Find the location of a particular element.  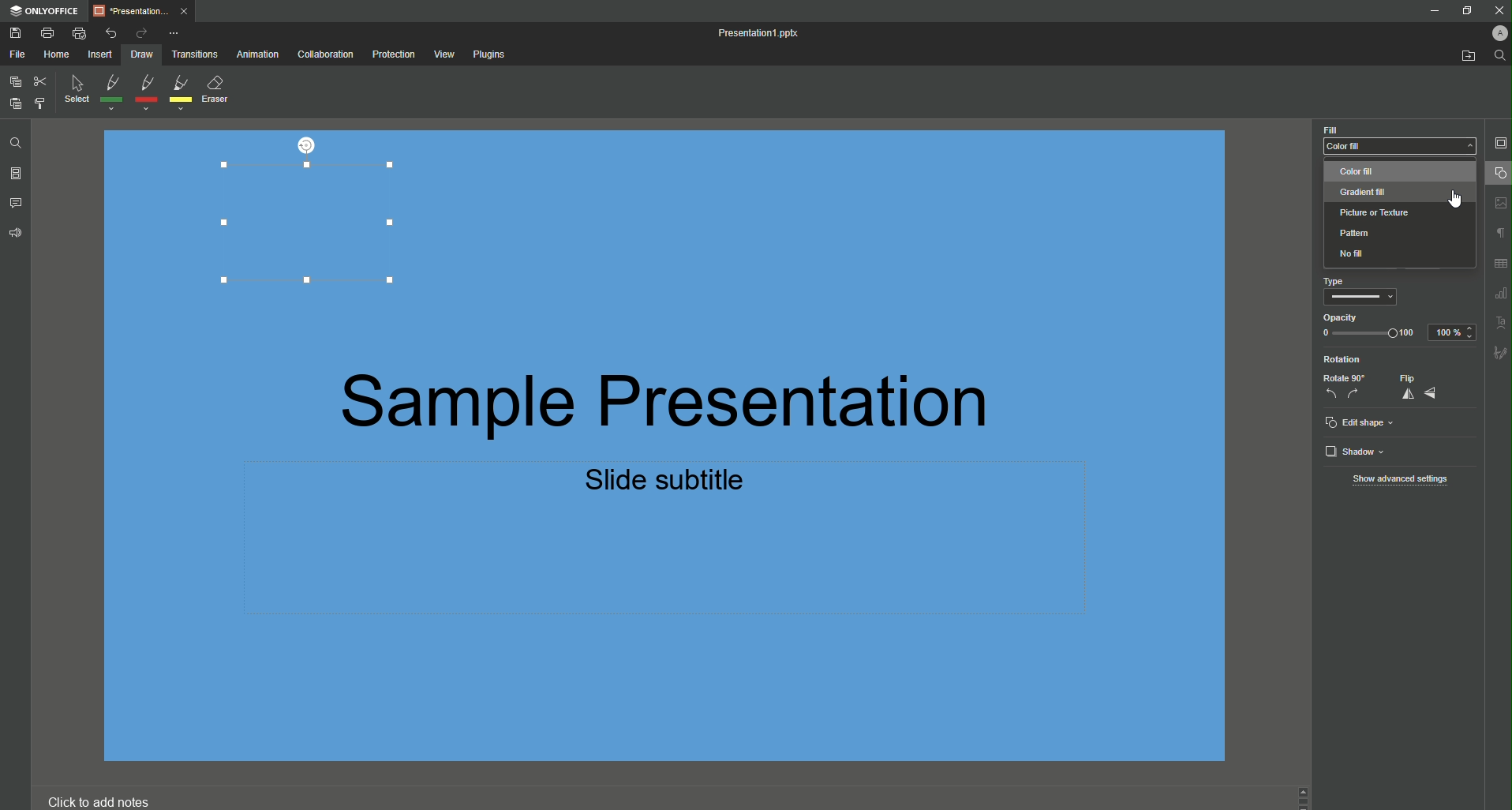

Insert is located at coordinates (99, 55).